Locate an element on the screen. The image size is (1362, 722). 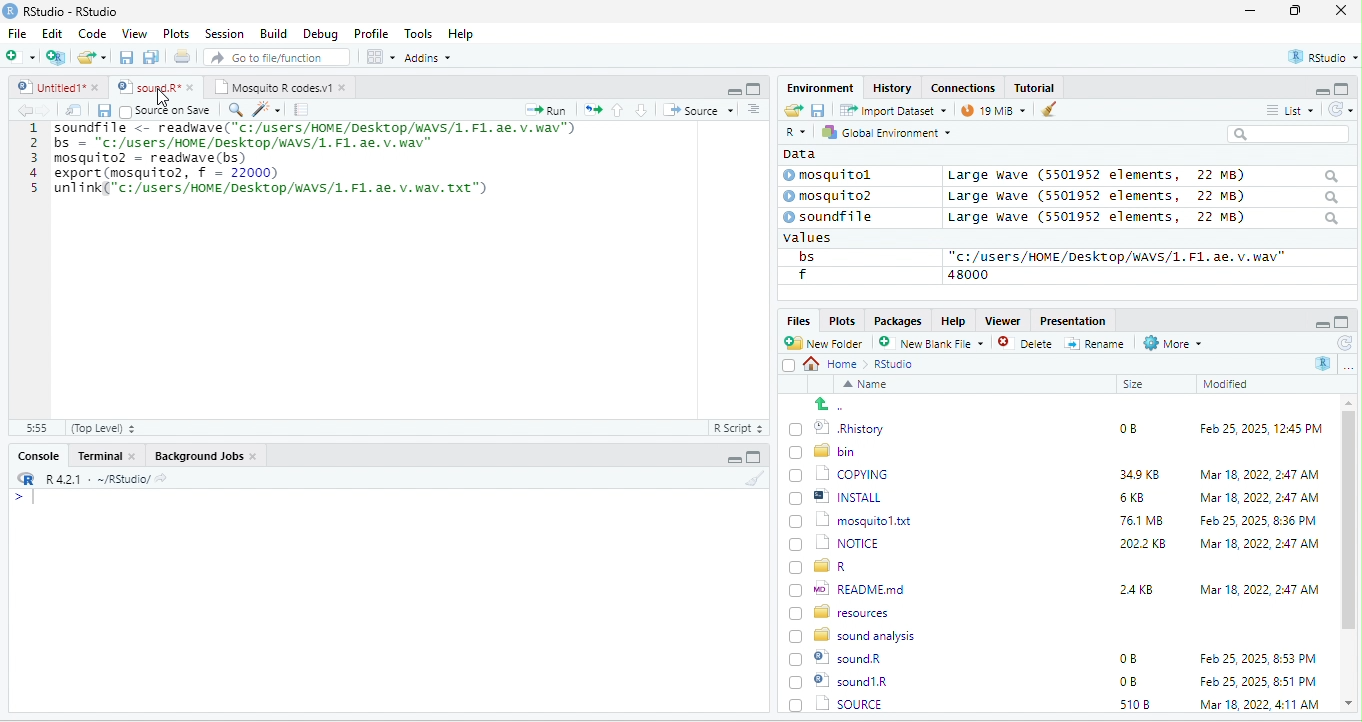
open is located at coordinates (184, 59).